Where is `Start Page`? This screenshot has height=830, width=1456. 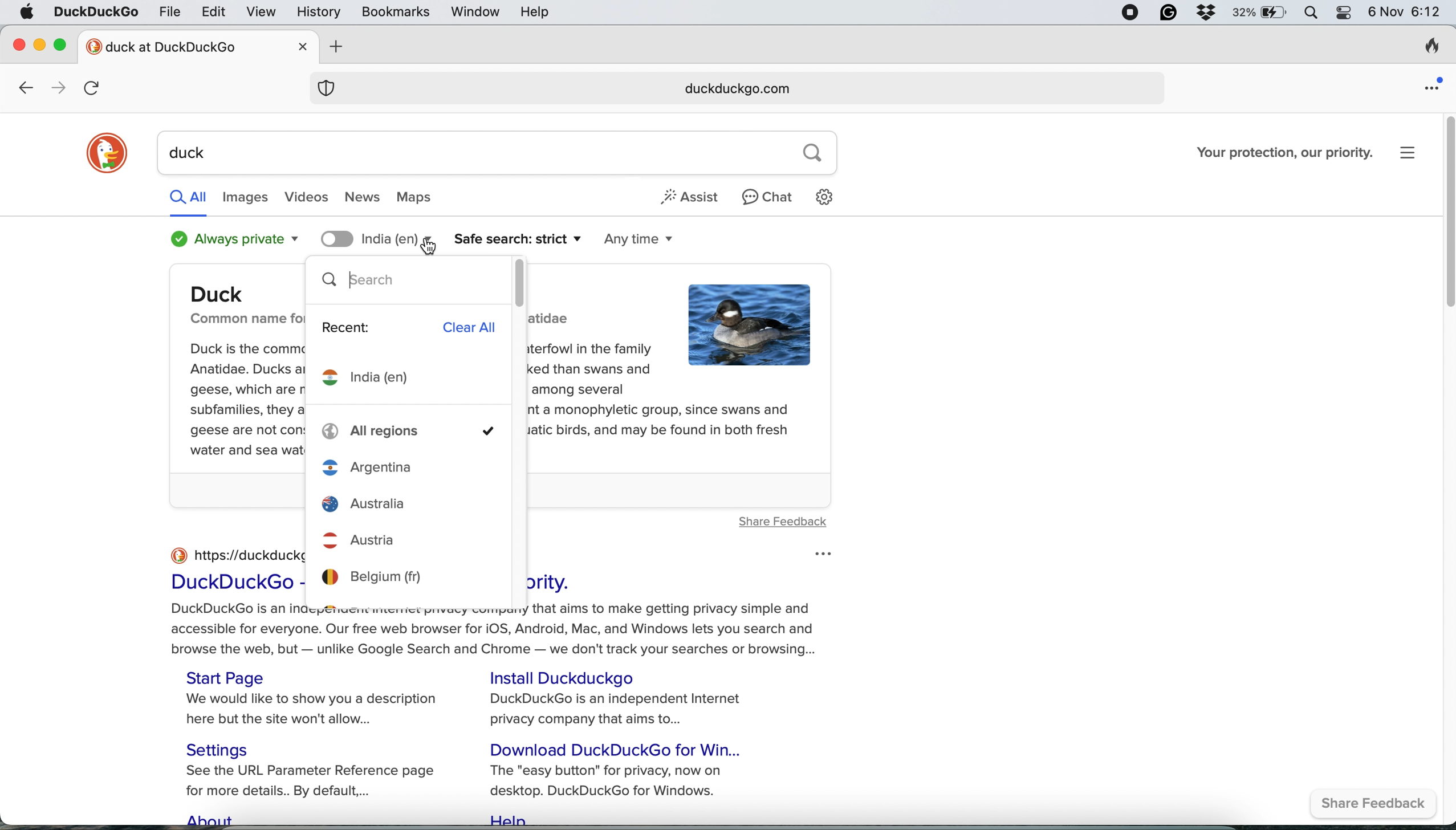
Start Page is located at coordinates (230, 677).